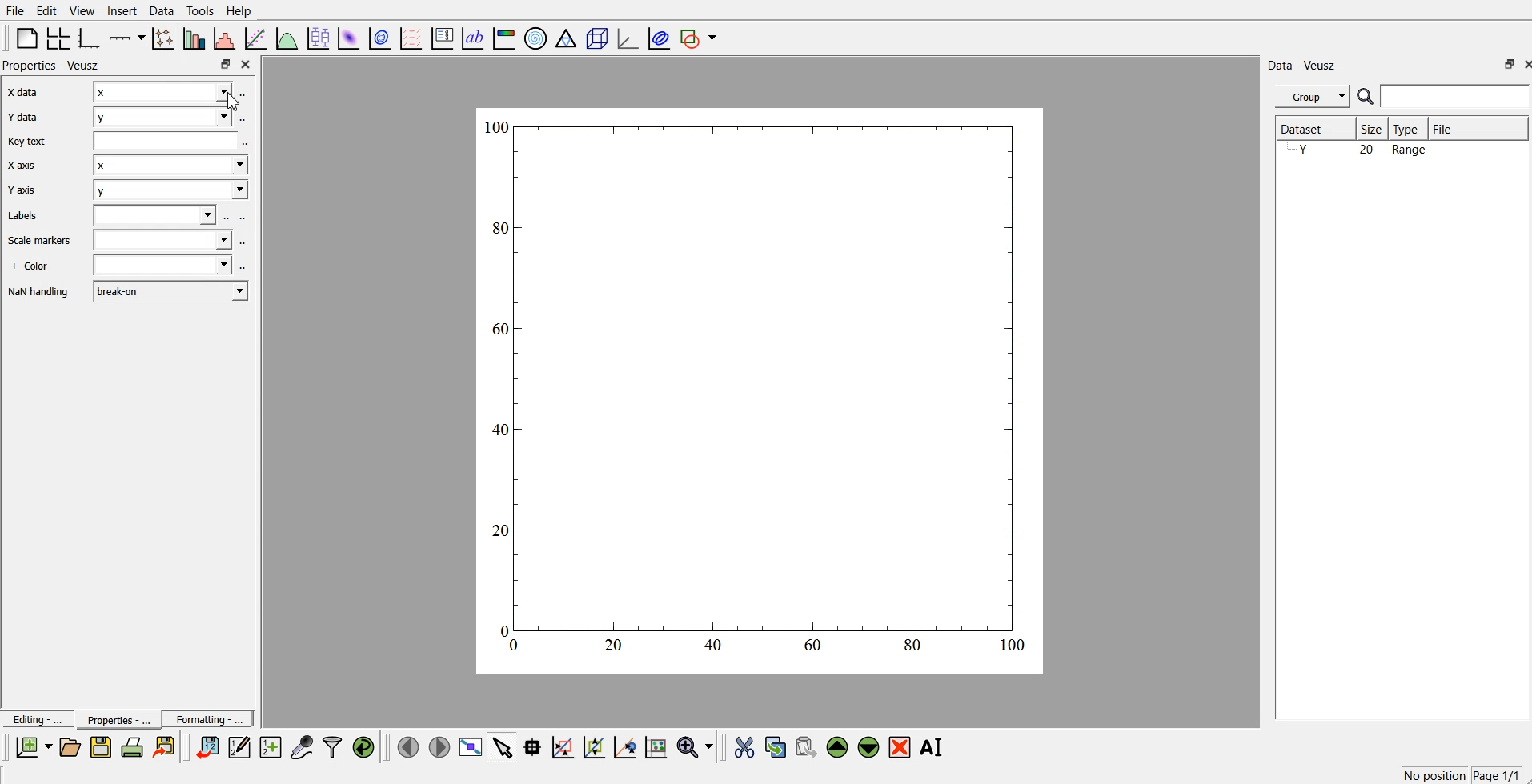 This screenshot has height=784, width=1532. What do you see at coordinates (167, 191) in the screenshot?
I see `y` at bounding box center [167, 191].